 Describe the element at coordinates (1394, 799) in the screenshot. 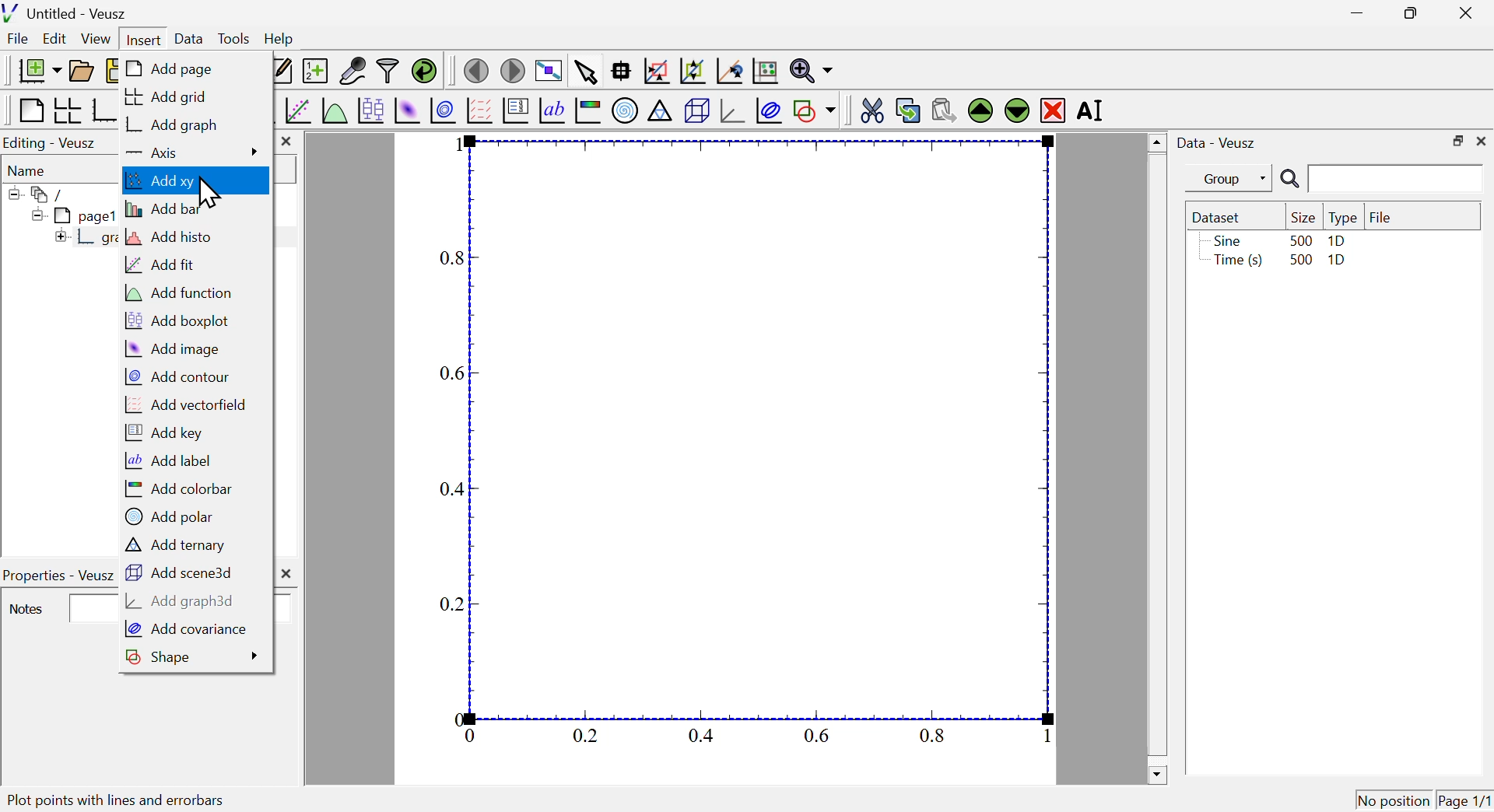

I see `no position` at that location.